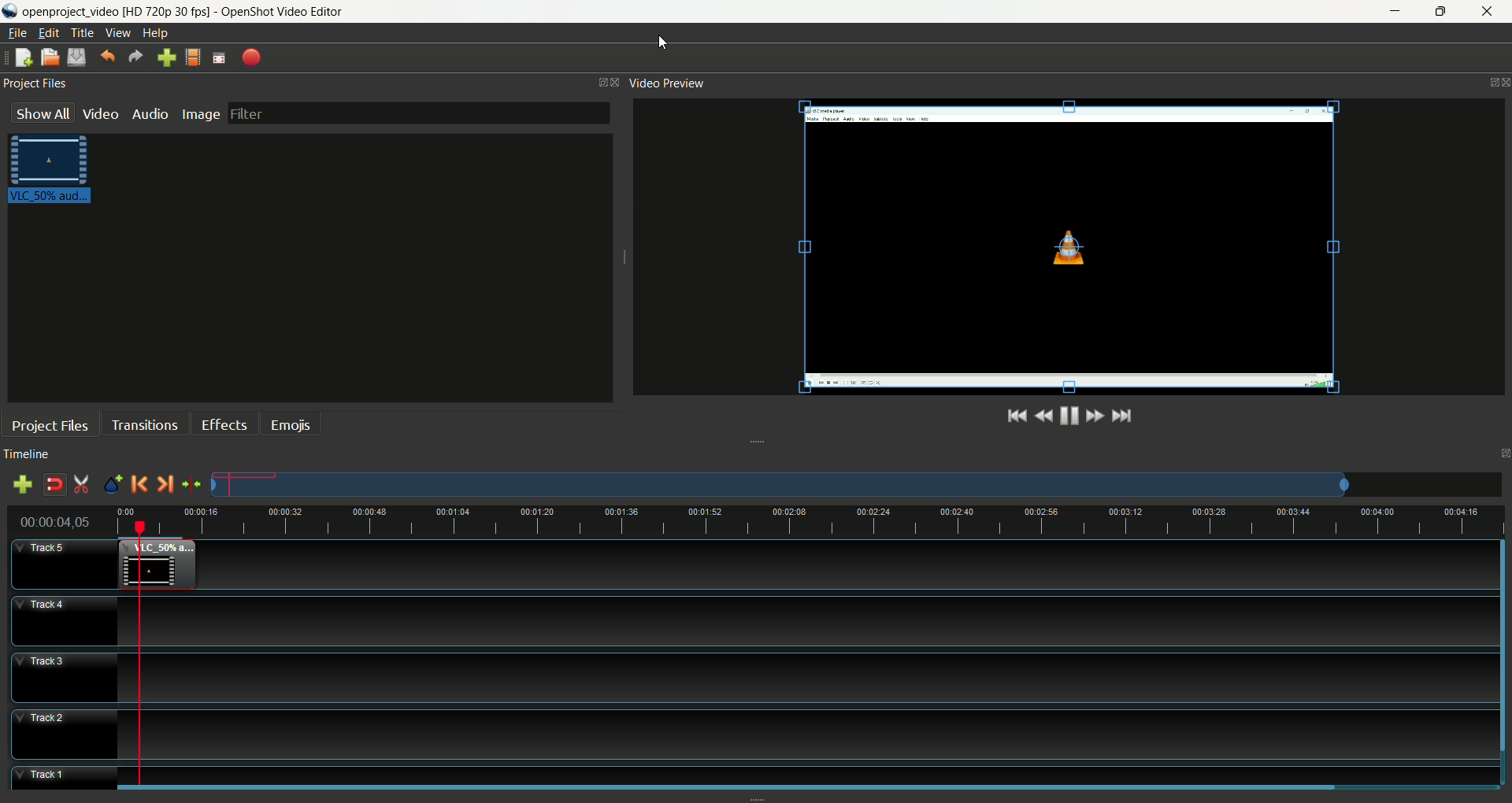 Image resolution: width=1512 pixels, height=803 pixels. I want to click on time, so click(62, 522).